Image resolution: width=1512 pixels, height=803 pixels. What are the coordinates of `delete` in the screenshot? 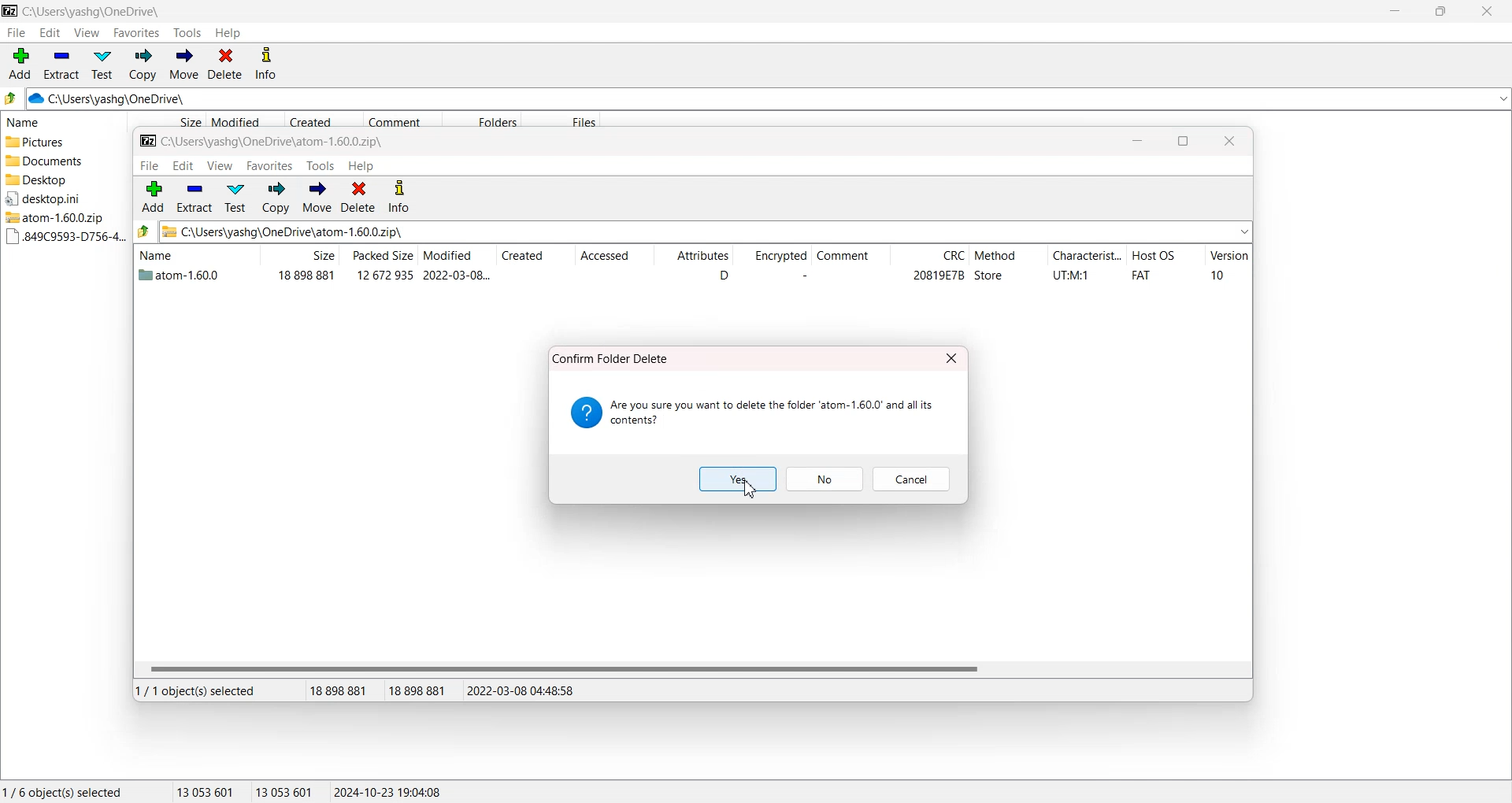 It's located at (358, 197).